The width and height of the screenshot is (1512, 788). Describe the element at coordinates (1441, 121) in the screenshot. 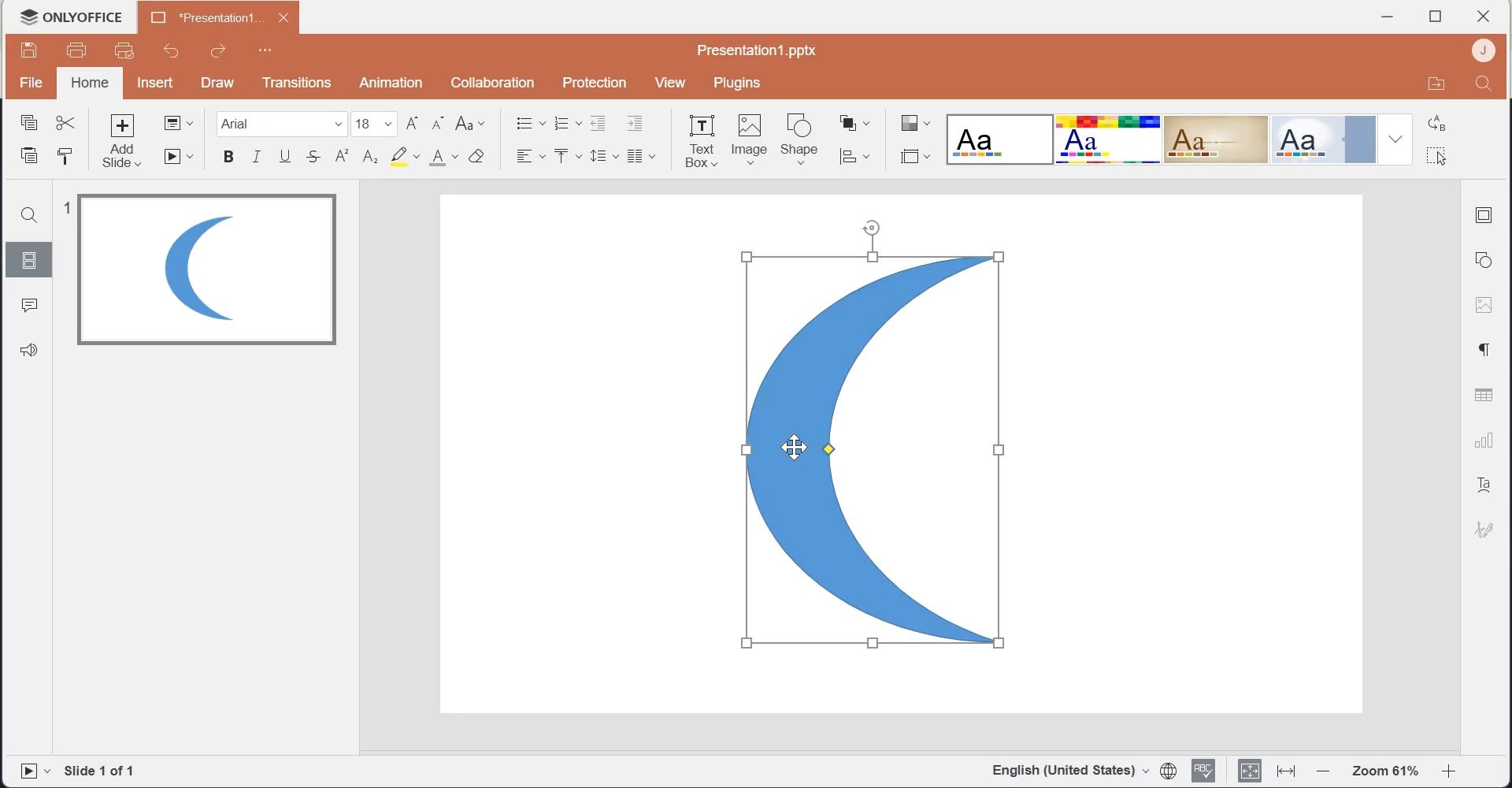

I see `Replace` at that location.